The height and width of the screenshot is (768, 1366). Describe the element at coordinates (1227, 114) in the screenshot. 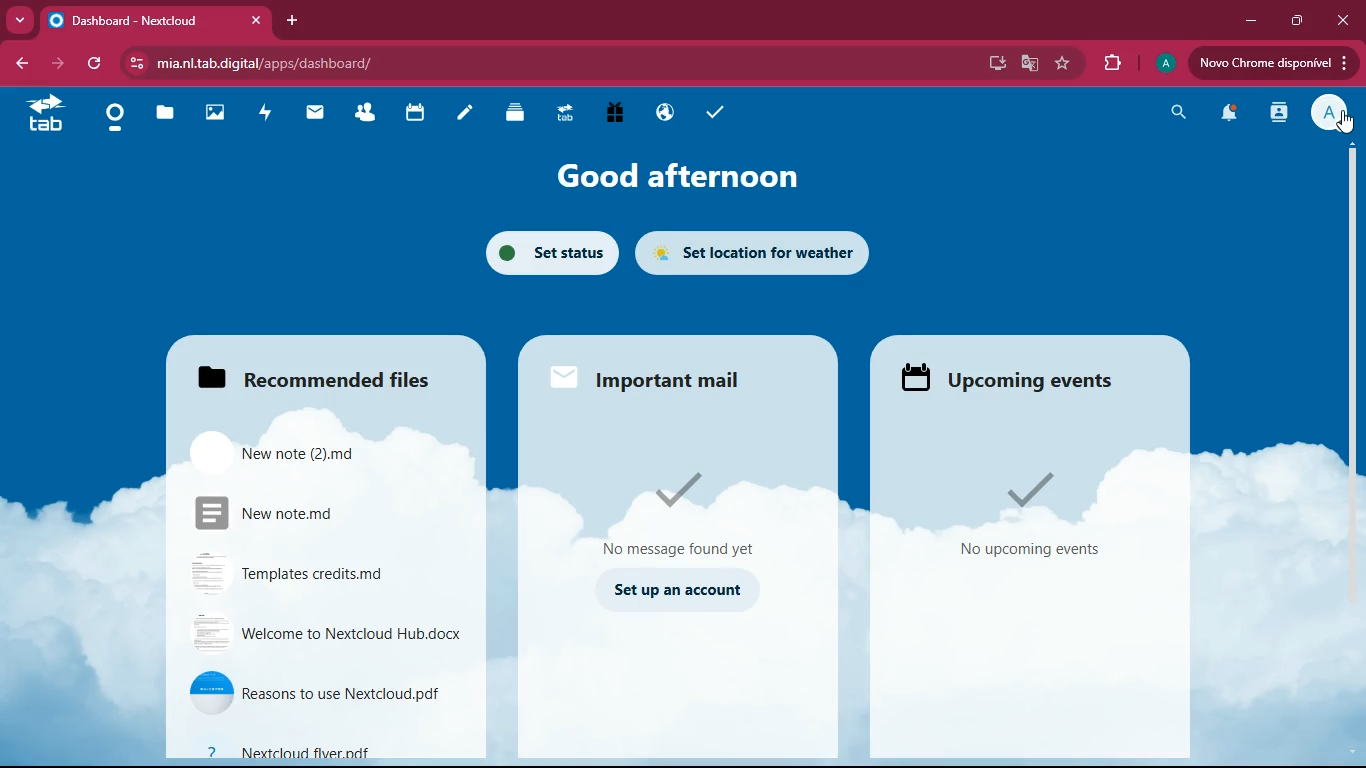

I see `notifications` at that location.